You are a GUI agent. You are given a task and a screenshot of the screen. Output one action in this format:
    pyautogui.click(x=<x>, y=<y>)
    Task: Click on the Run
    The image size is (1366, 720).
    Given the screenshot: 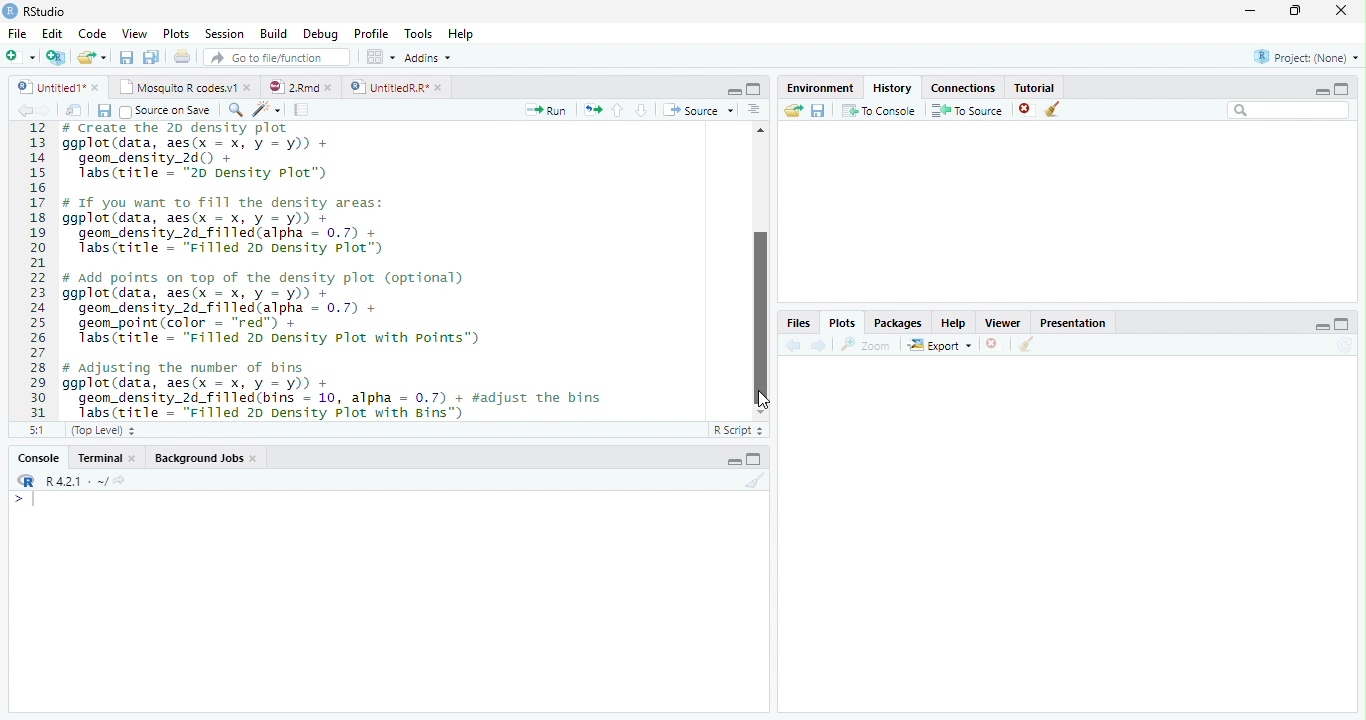 What is the action you would take?
    pyautogui.click(x=543, y=111)
    